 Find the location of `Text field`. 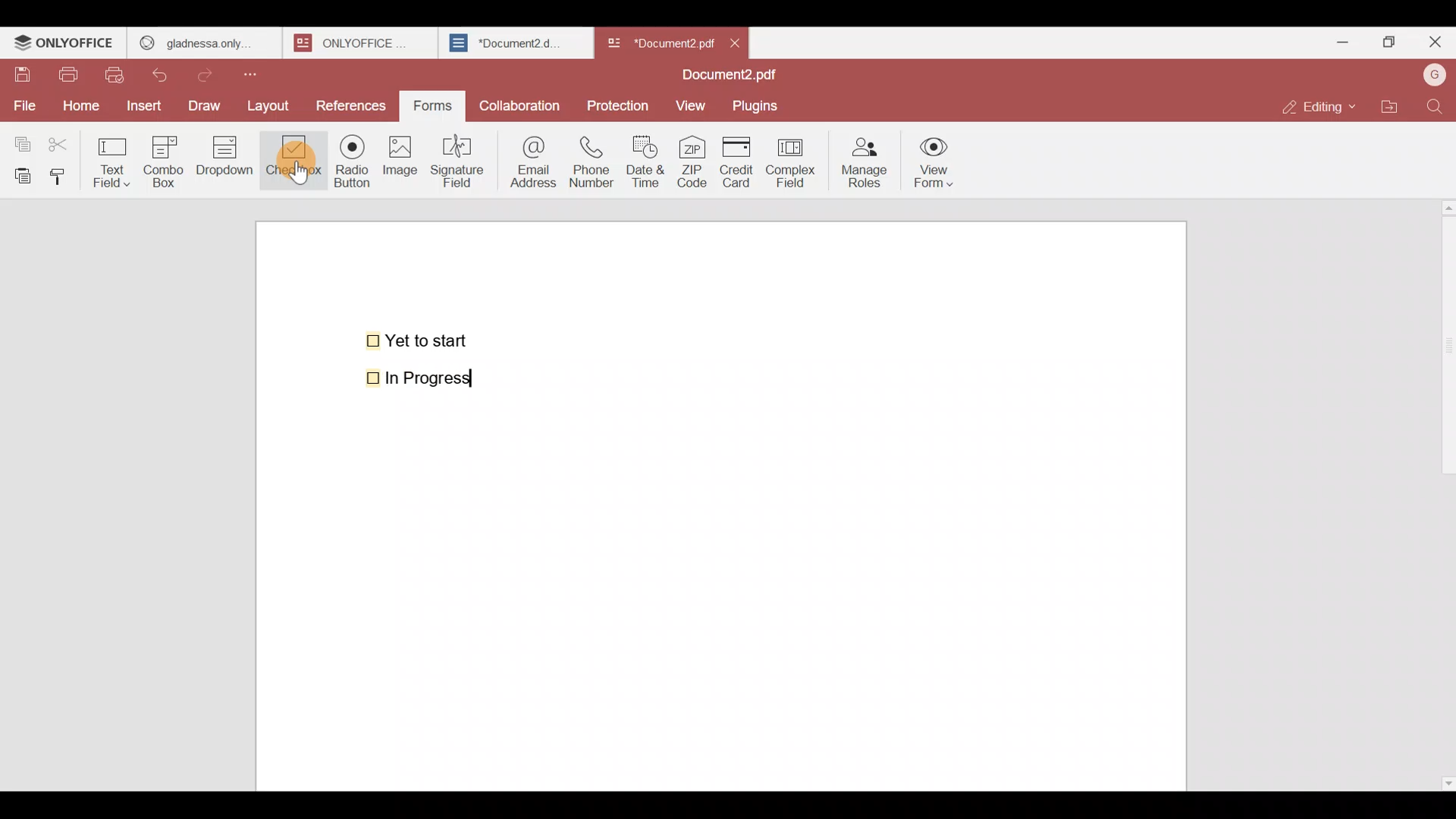

Text field is located at coordinates (115, 158).